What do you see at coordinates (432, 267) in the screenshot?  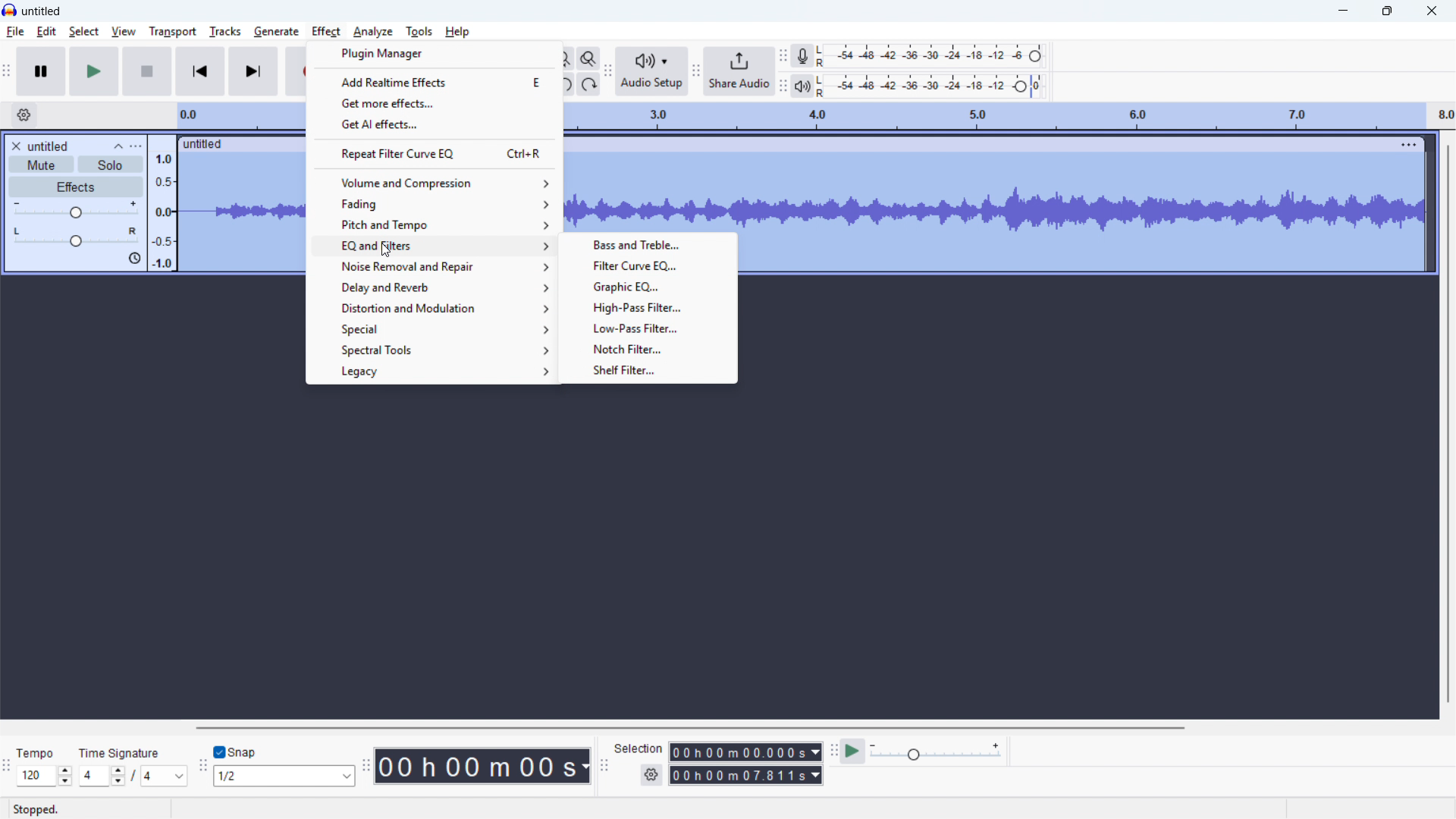 I see `Noise removal and repair ` at bounding box center [432, 267].